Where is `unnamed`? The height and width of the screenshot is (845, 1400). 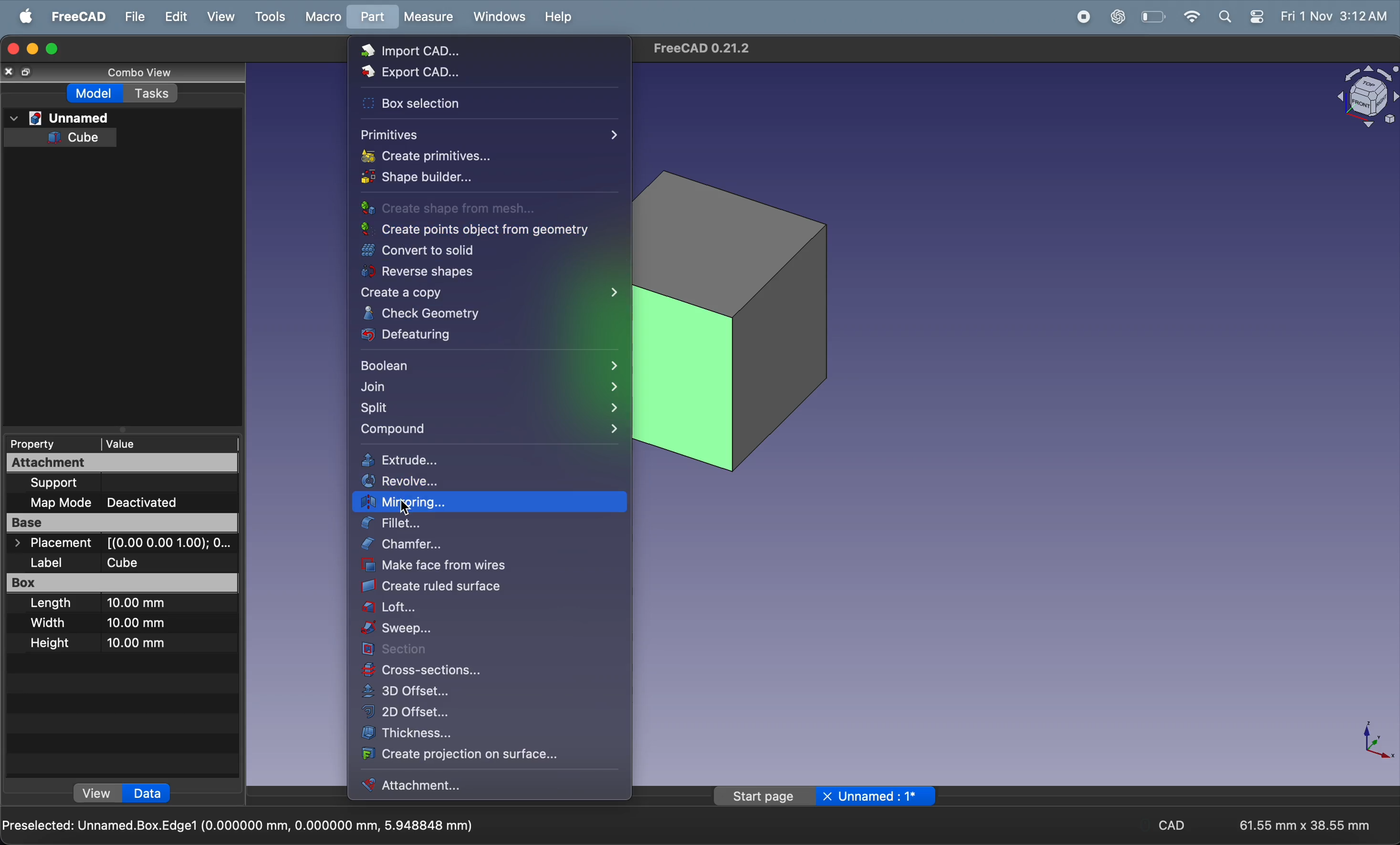 unnamed is located at coordinates (64, 116).